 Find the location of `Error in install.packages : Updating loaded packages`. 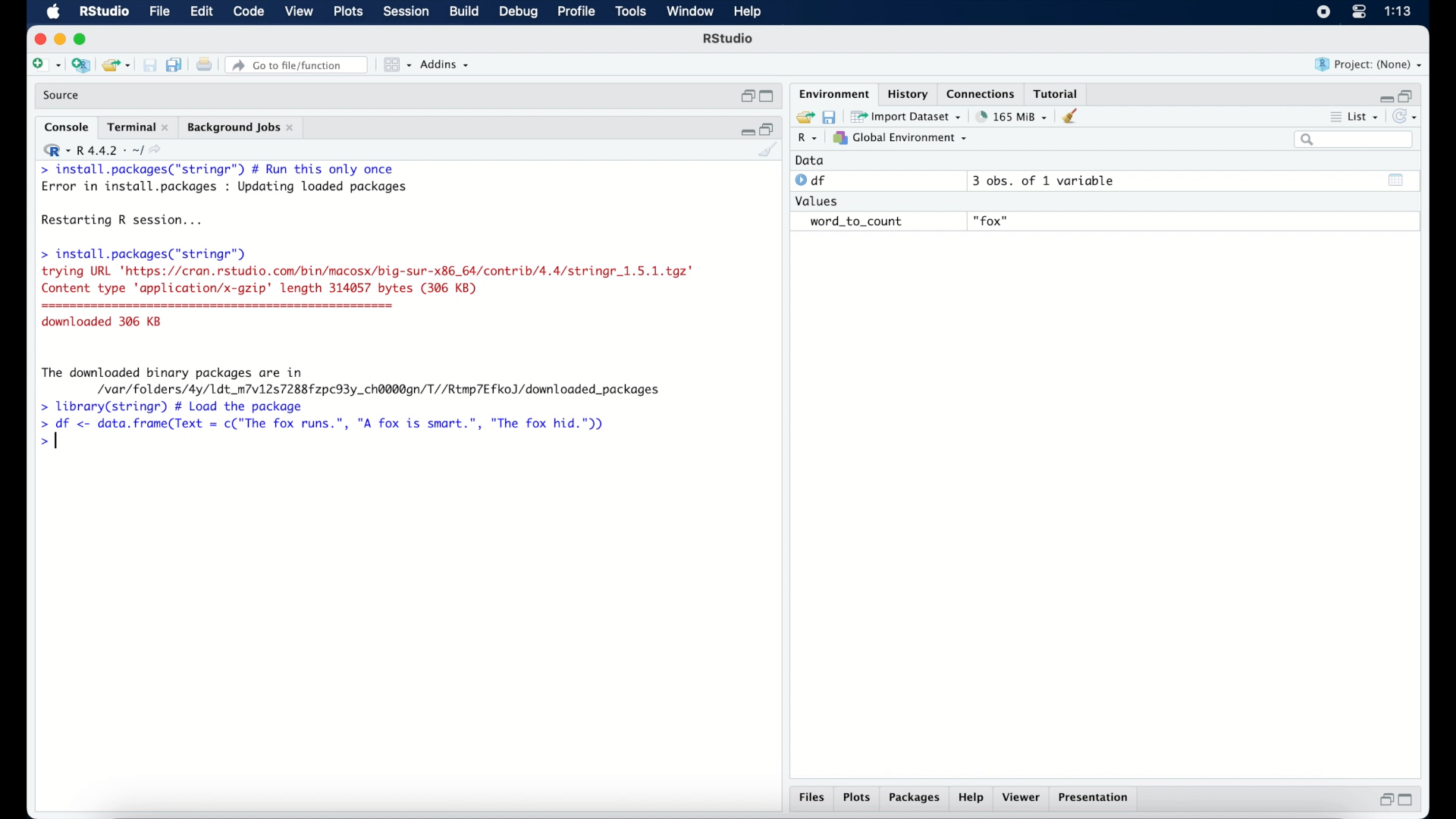

Error in install.packages : Updating loaded packages is located at coordinates (224, 187).